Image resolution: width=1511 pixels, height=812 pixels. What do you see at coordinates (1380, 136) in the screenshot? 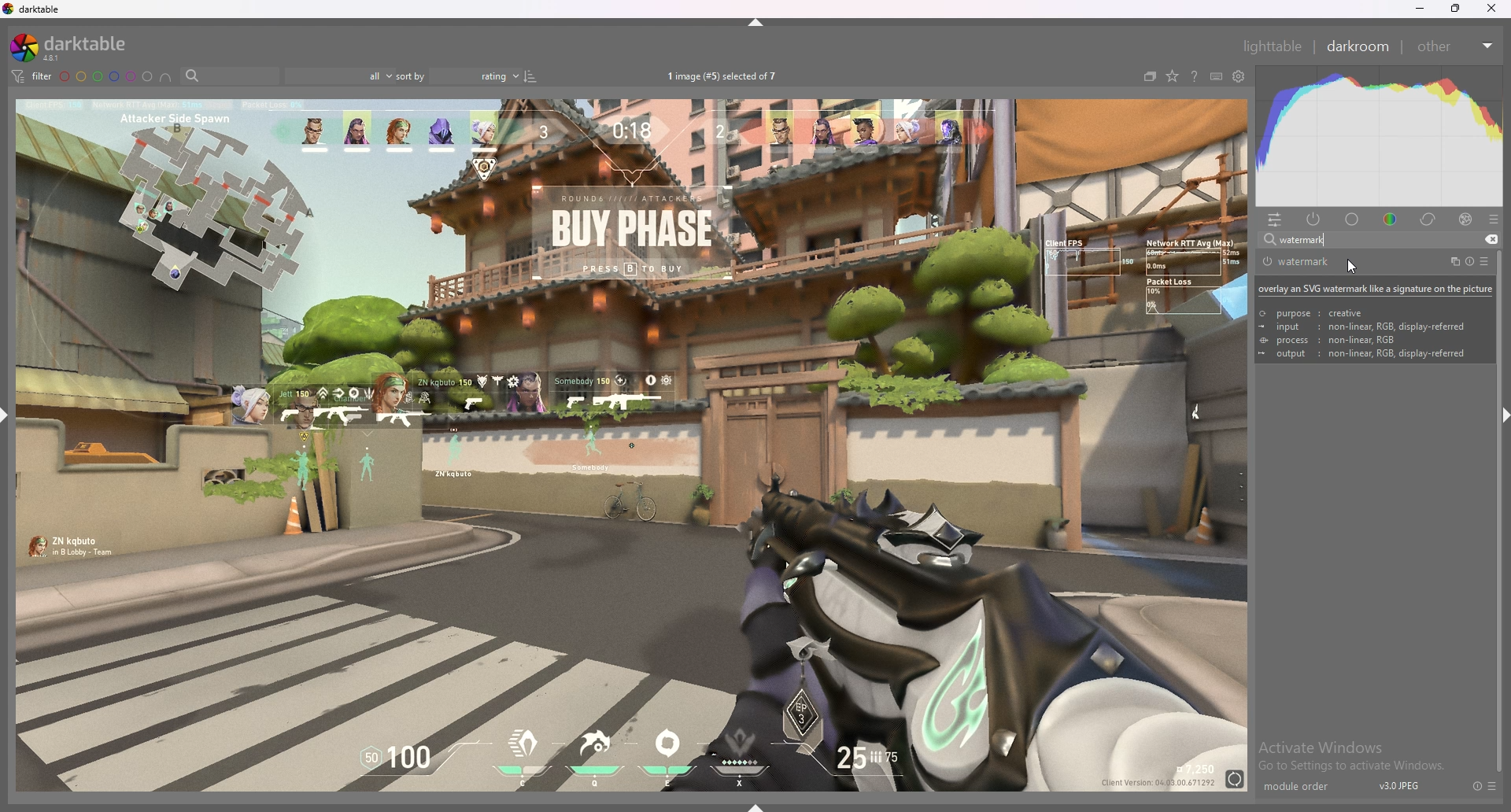
I see `heat graph` at bounding box center [1380, 136].